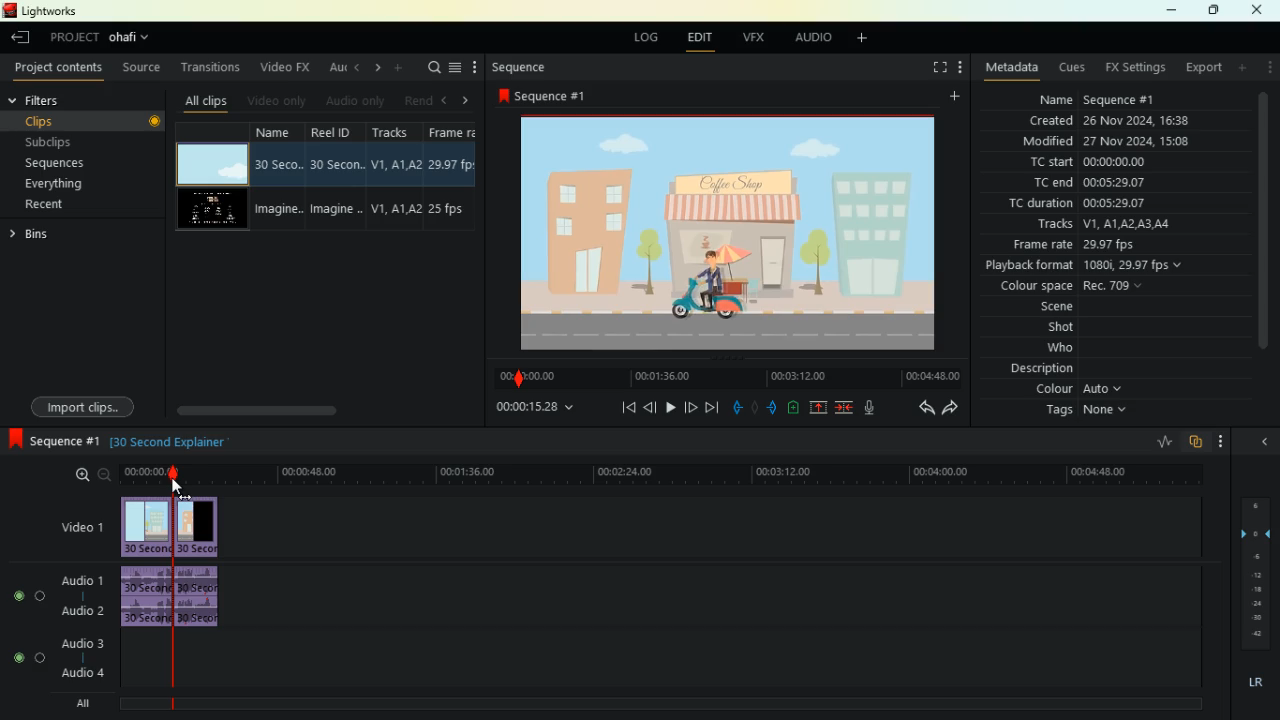 The height and width of the screenshot is (720, 1280). Describe the element at coordinates (395, 165) in the screenshot. I see `V1,A1, A2` at that location.